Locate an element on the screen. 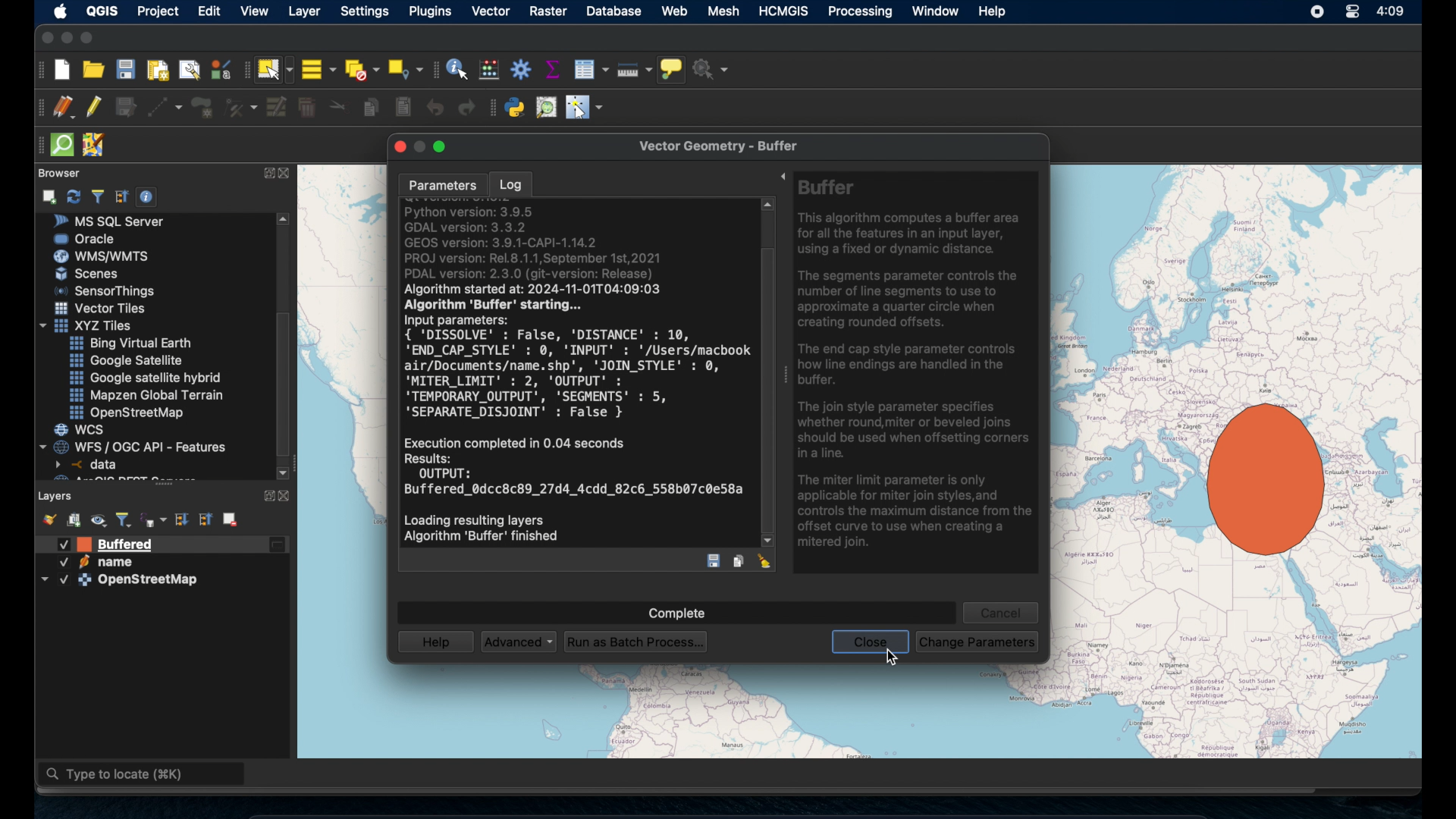 This screenshot has width=1456, height=819. google satellite is located at coordinates (125, 361).